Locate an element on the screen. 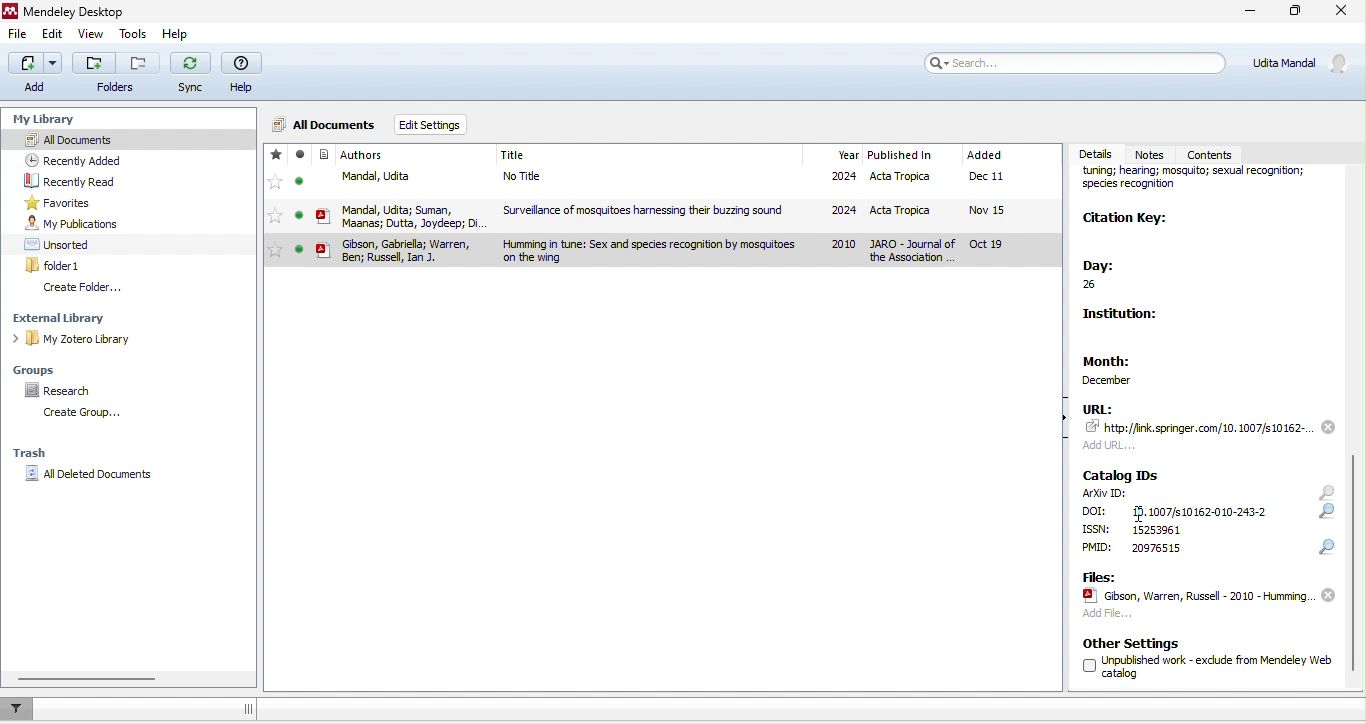 Image resolution: width=1366 pixels, height=724 pixels. trash is located at coordinates (32, 455).